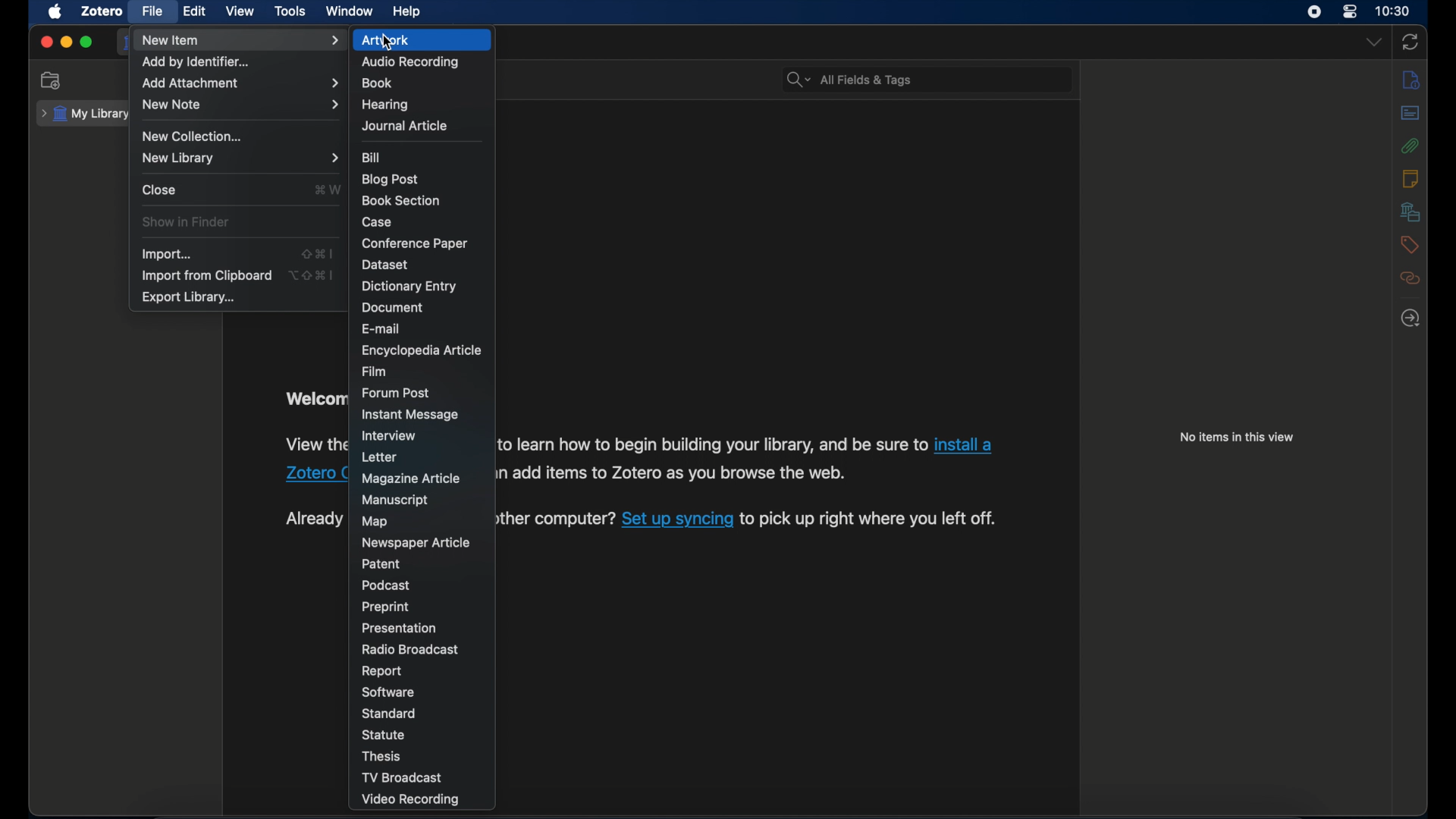 The height and width of the screenshot is (819, 1456). What do you see at coordinates (385, 105) in the screenshot?
I see `hearing` at bounding box center [385, 105].